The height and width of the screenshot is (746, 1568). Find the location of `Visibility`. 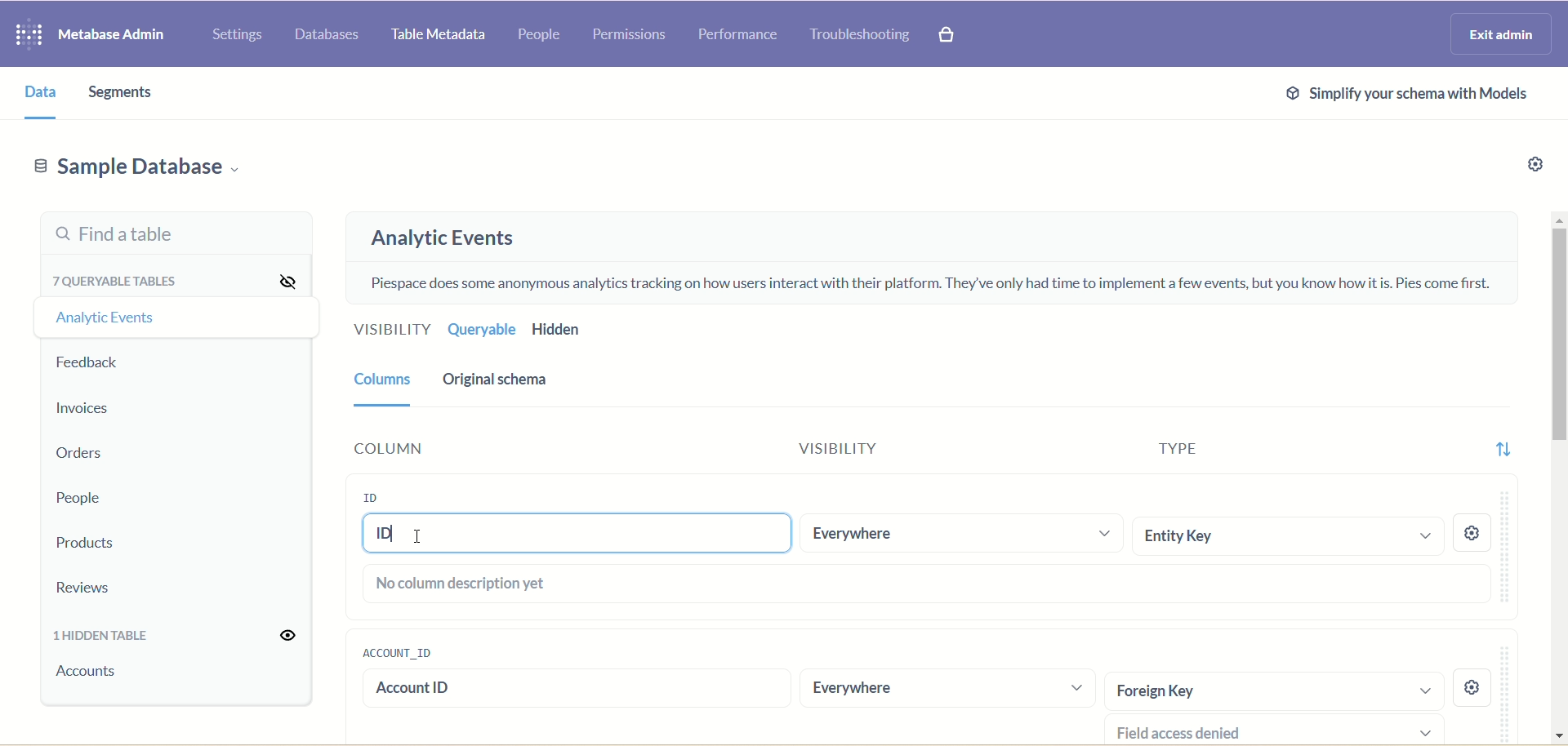

Visibility is located at coordinates (385, 331).